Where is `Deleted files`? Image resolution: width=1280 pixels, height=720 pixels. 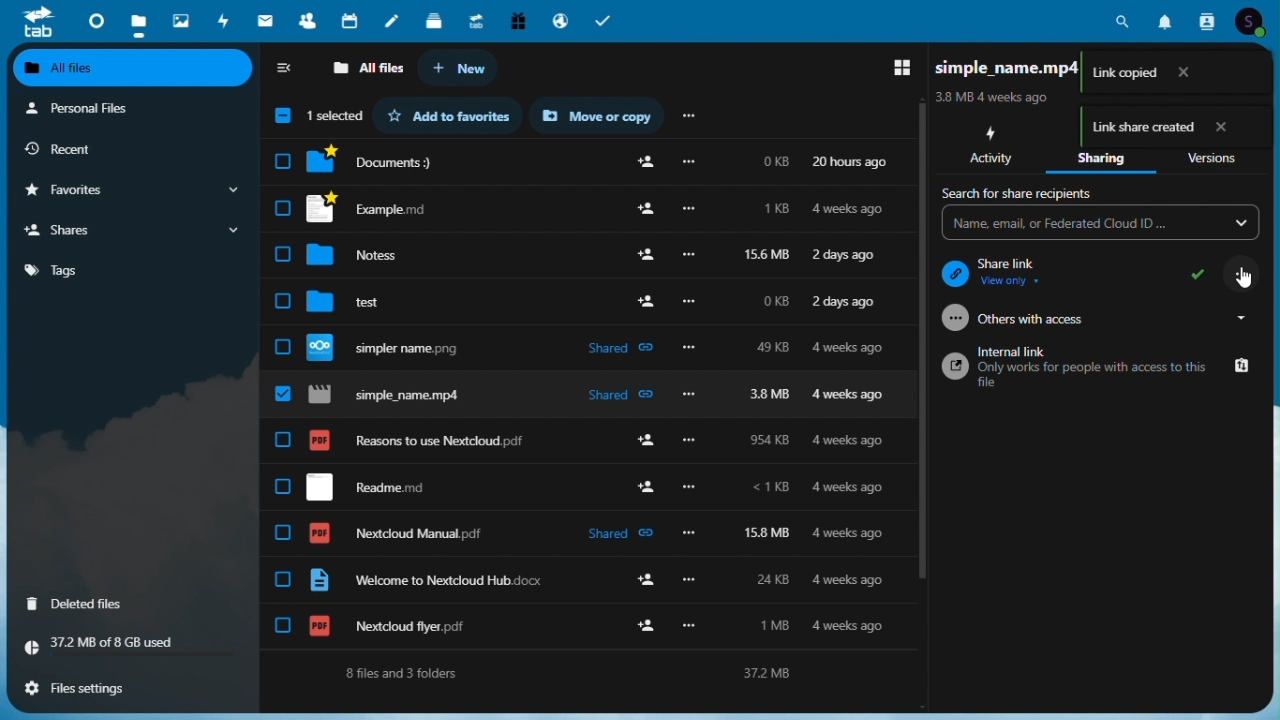 Deleted files is located at coordinates (88, 603).